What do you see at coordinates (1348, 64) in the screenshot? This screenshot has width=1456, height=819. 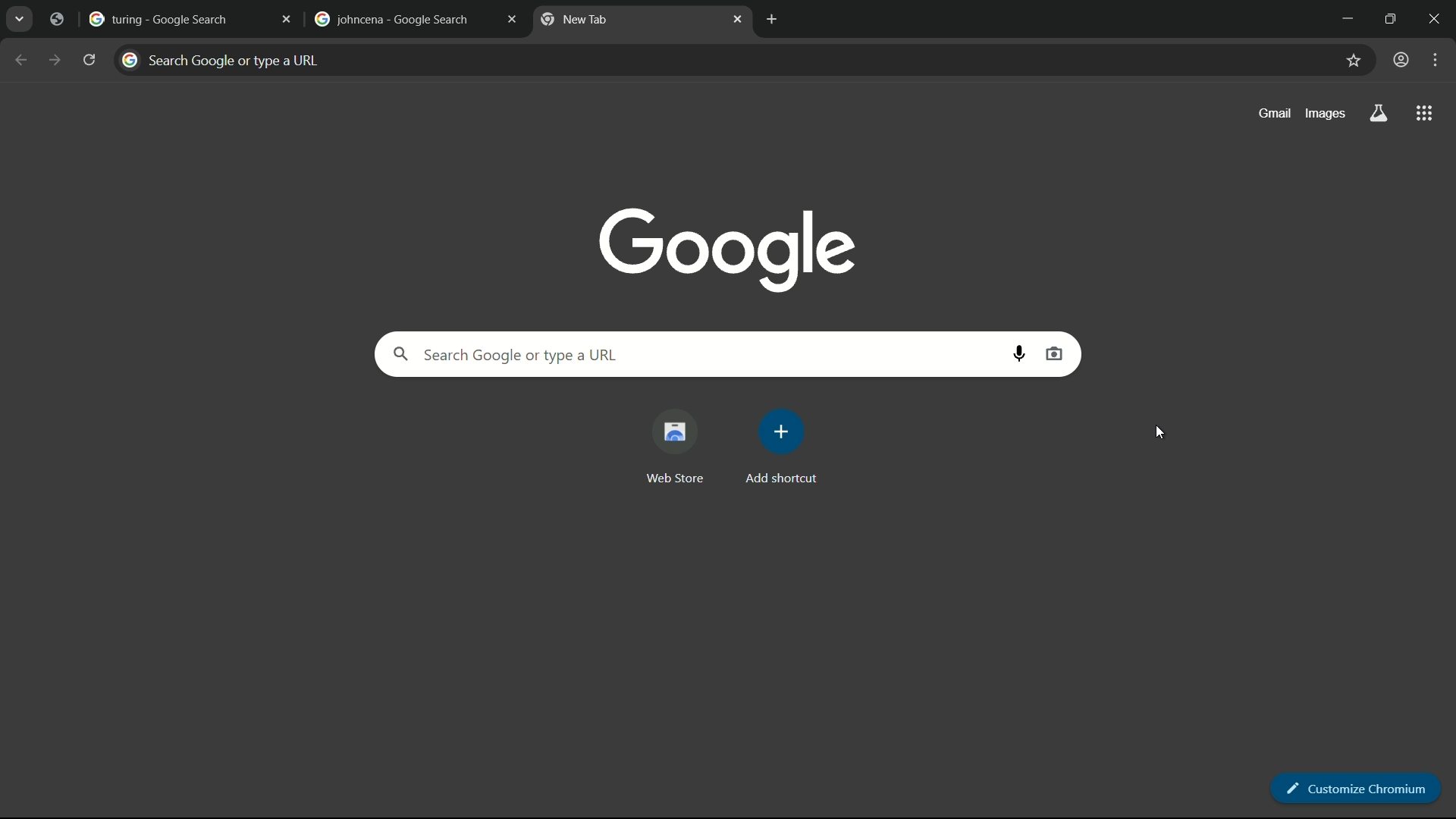 I see `bookmark ` at bounding box center [1348, 64].